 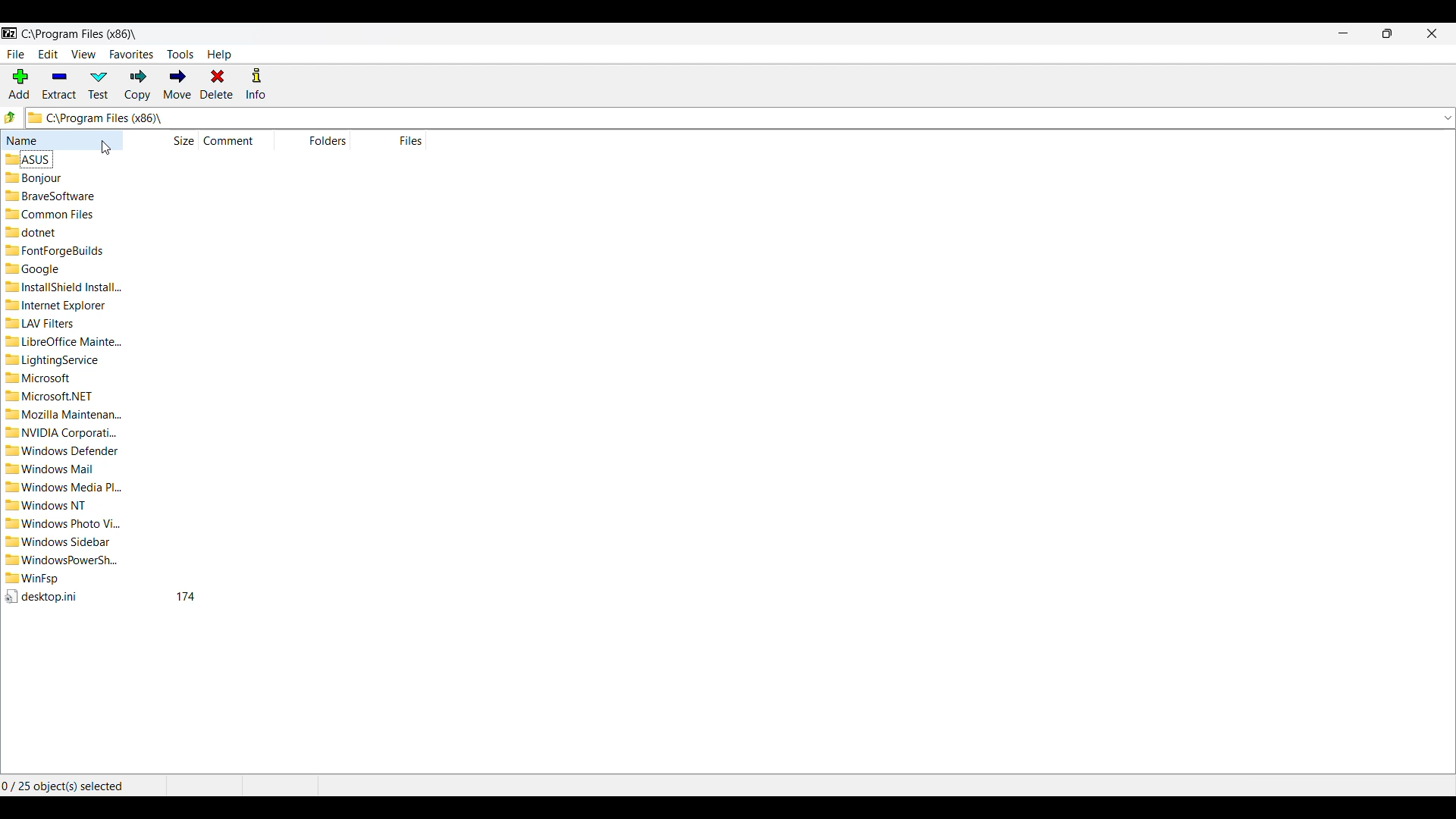 I want to click on Windows NT, so click(x=50, y=507).